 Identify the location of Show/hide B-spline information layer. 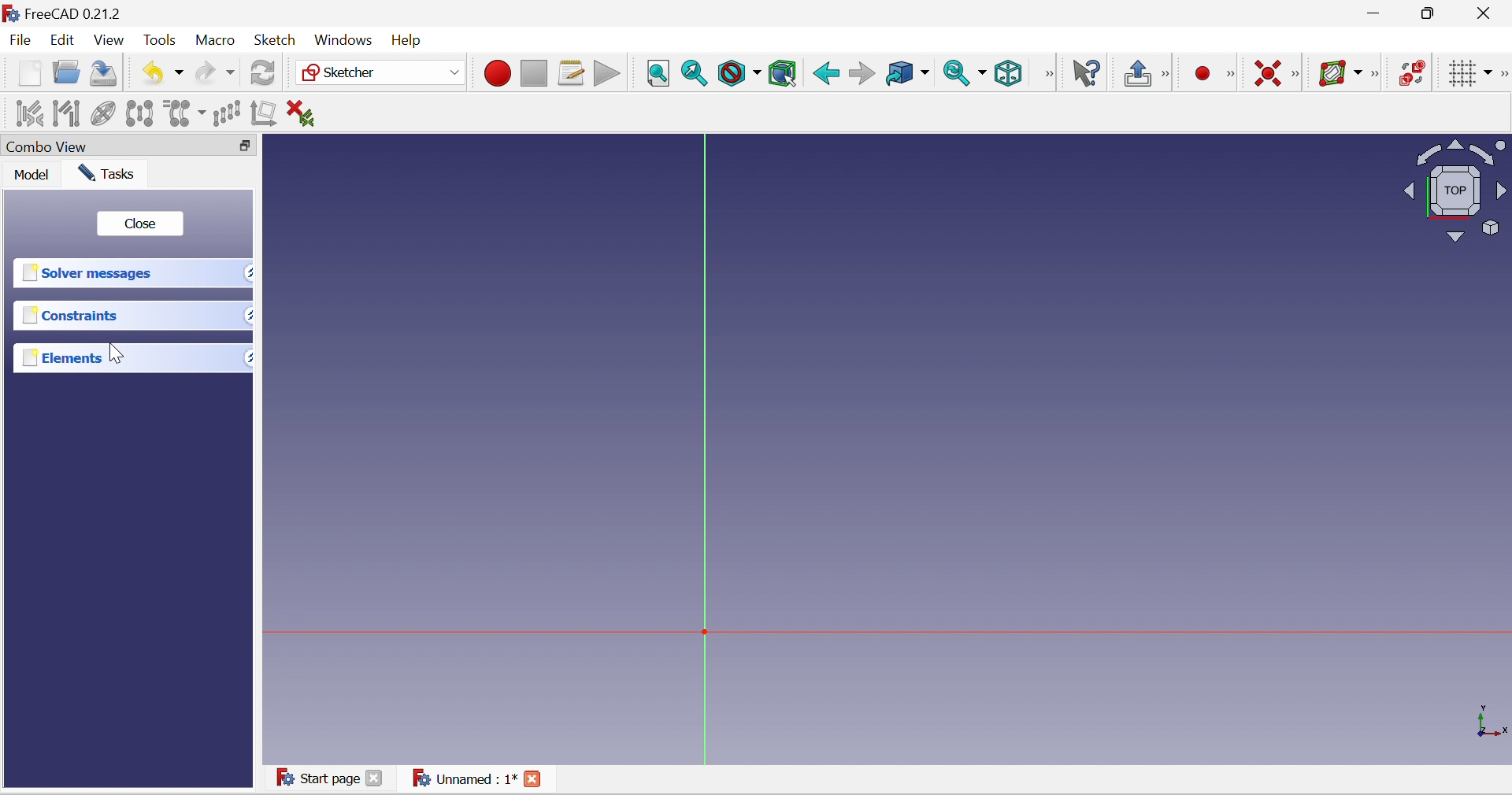
(1340, 72).